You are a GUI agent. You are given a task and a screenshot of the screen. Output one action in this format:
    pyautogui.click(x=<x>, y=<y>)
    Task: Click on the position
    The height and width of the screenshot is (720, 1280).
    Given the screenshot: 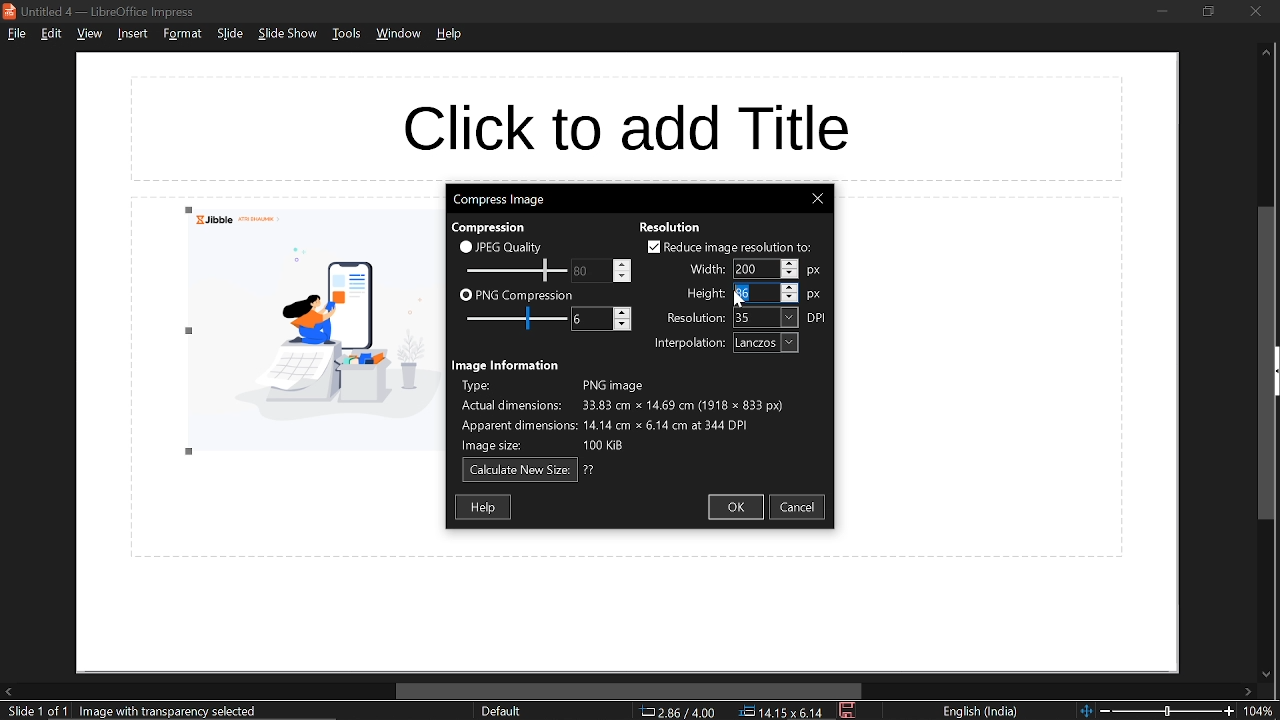 What is the action you would take?
    pyautogui.click(x=781, y=712)
    